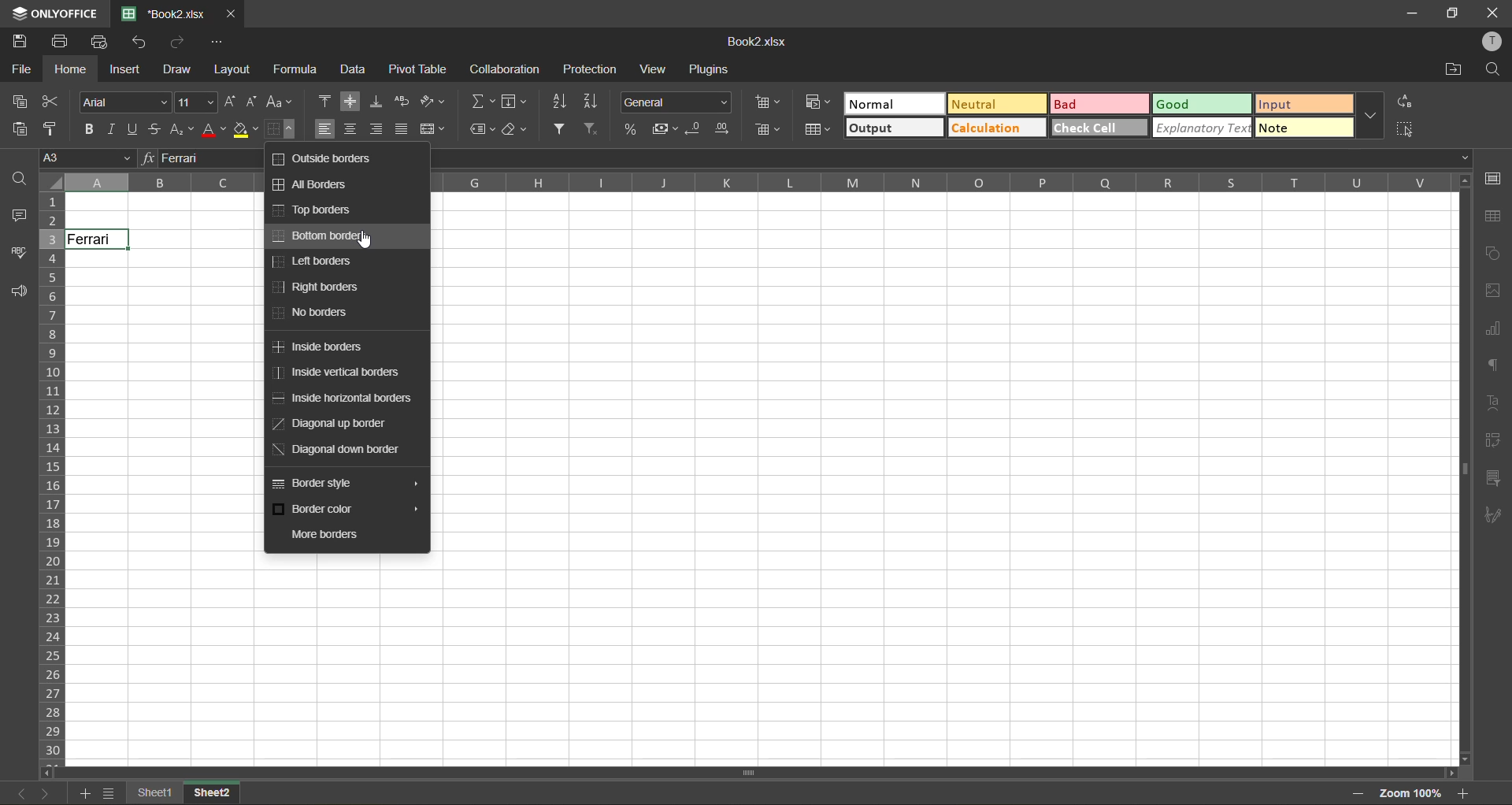 This screenshot has width=1512, height=805. What do you see at coordinates (1406, 101) in the screenshot?
I see `replace` at bounding box center [1406, 101].